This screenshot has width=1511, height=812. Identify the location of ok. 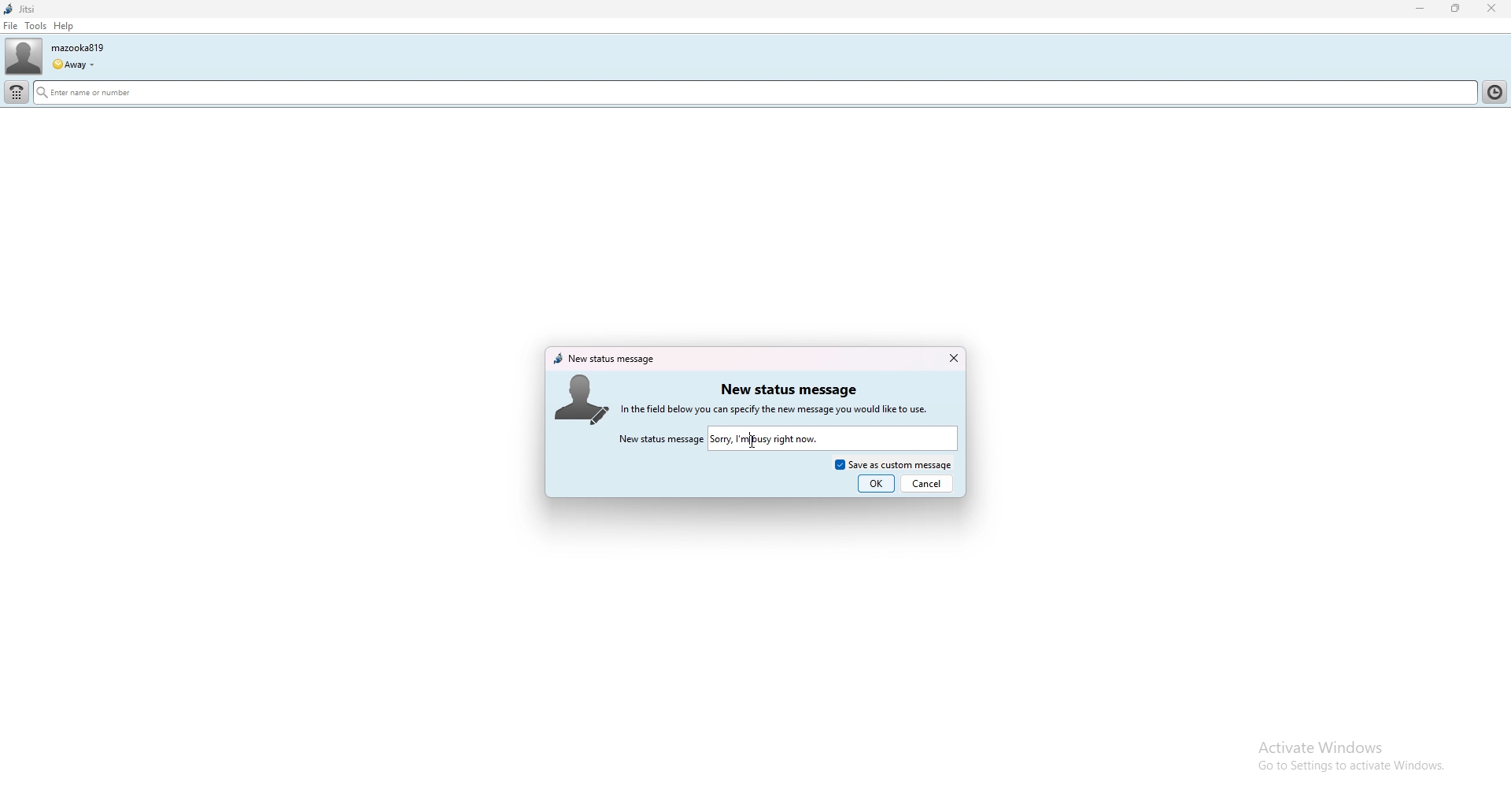
(877, 484).